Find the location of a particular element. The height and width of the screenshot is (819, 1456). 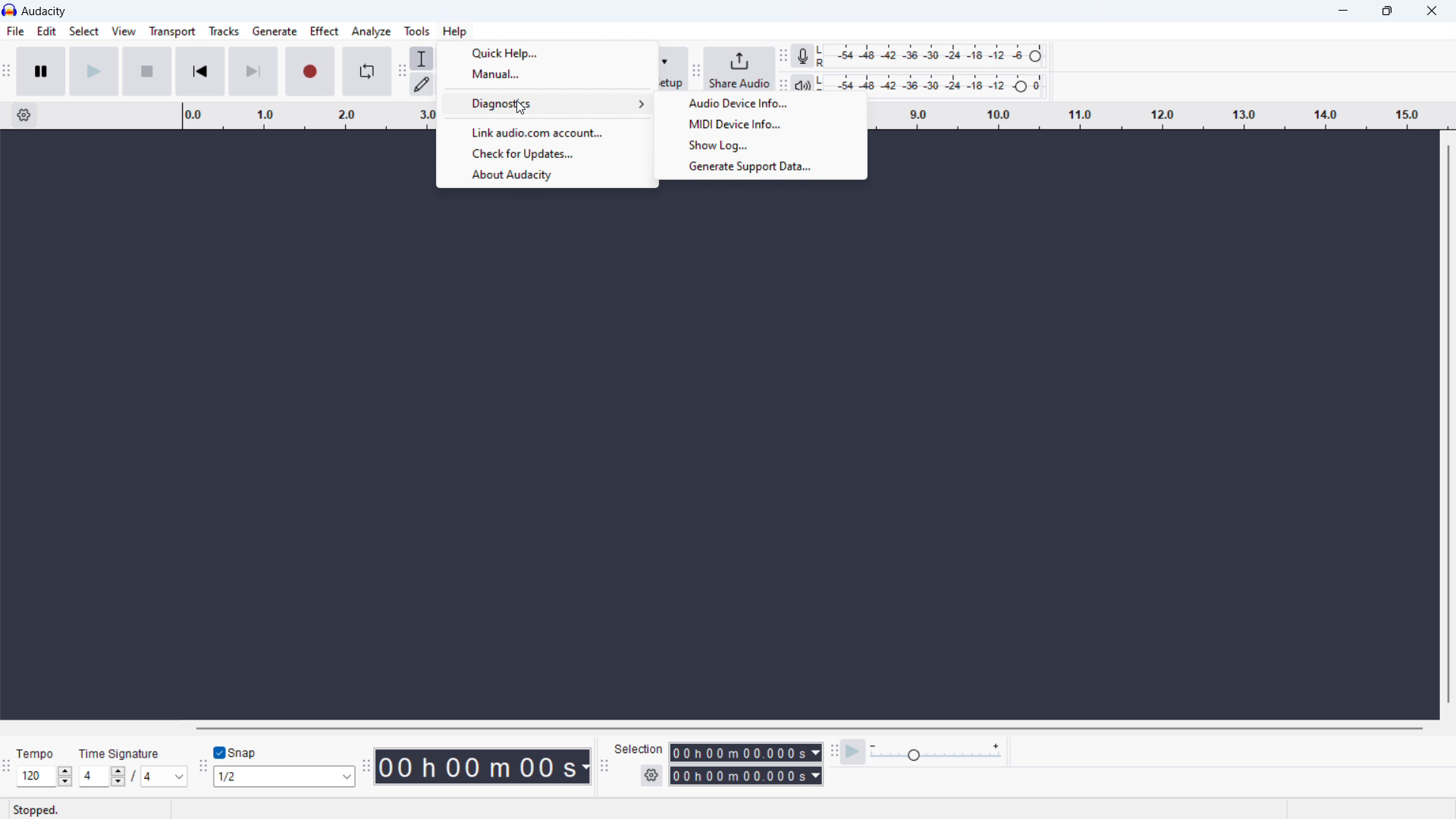

transort toolbar is located at coordinates (7, 71).